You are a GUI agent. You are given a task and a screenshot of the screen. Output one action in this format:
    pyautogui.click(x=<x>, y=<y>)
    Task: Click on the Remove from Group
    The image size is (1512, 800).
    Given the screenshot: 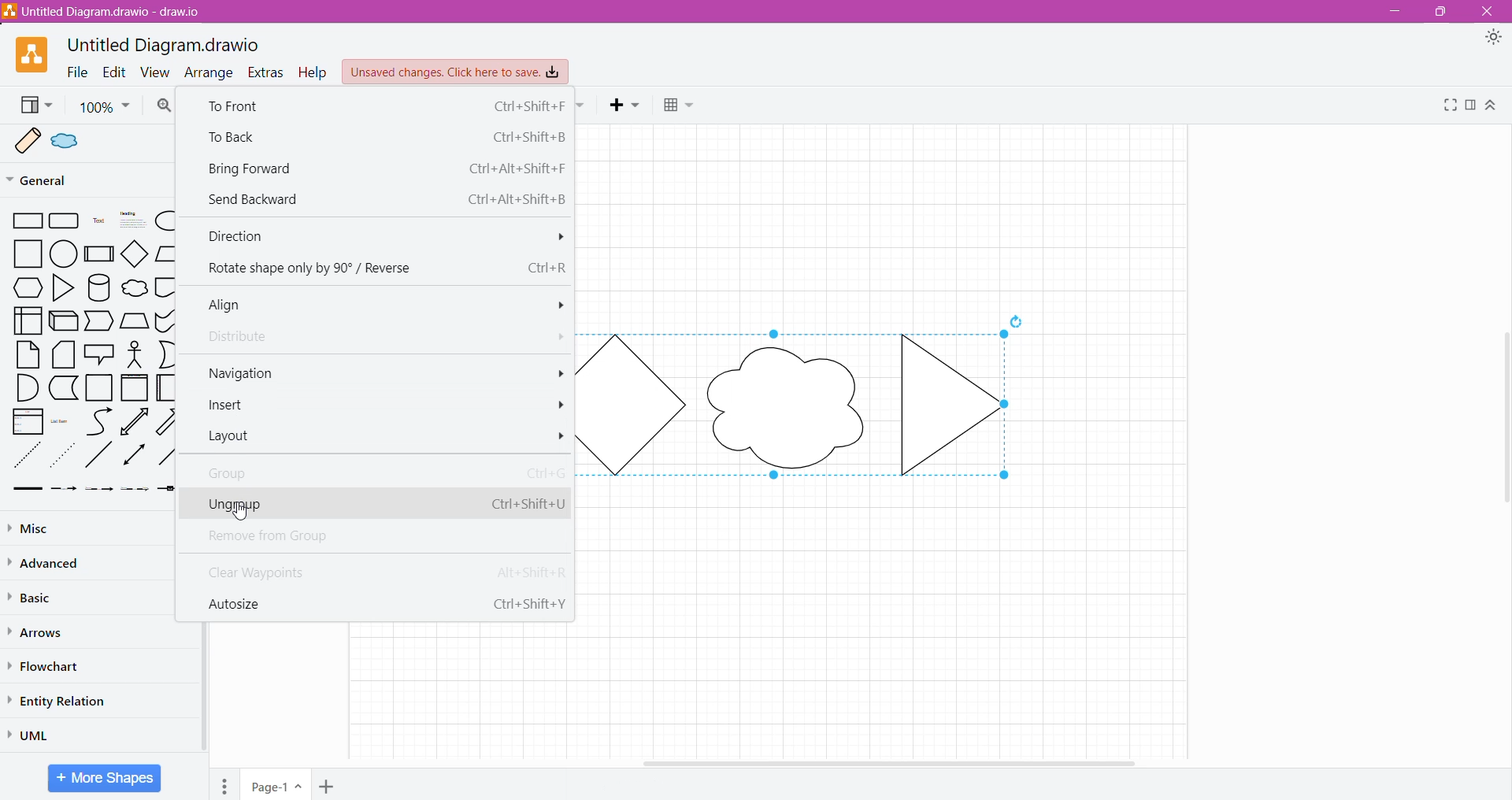 What is the action you would take?
    pyautogui.click(x=276, y=539)
    